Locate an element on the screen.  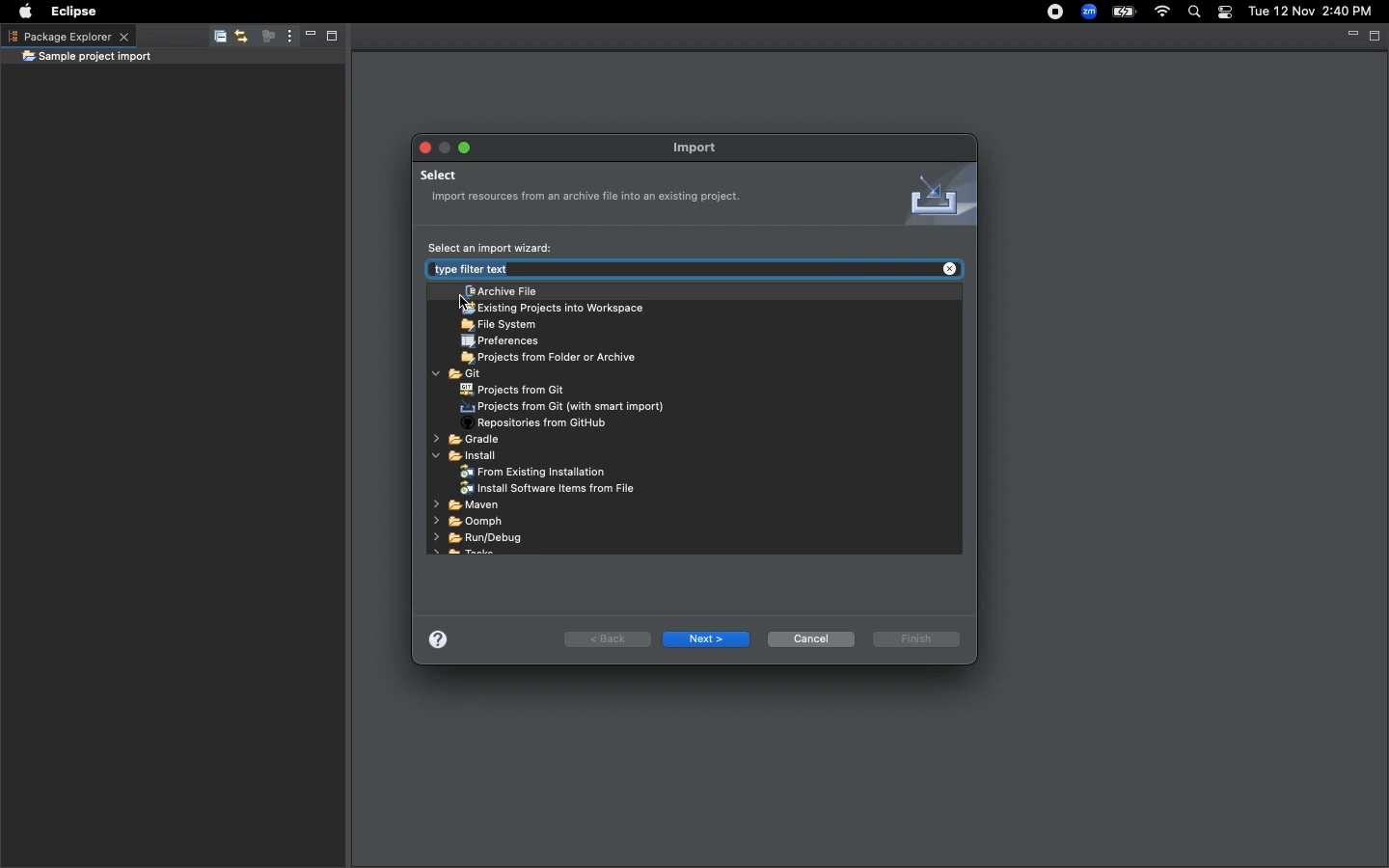
Minimize is located at coordinates (1350, 35).